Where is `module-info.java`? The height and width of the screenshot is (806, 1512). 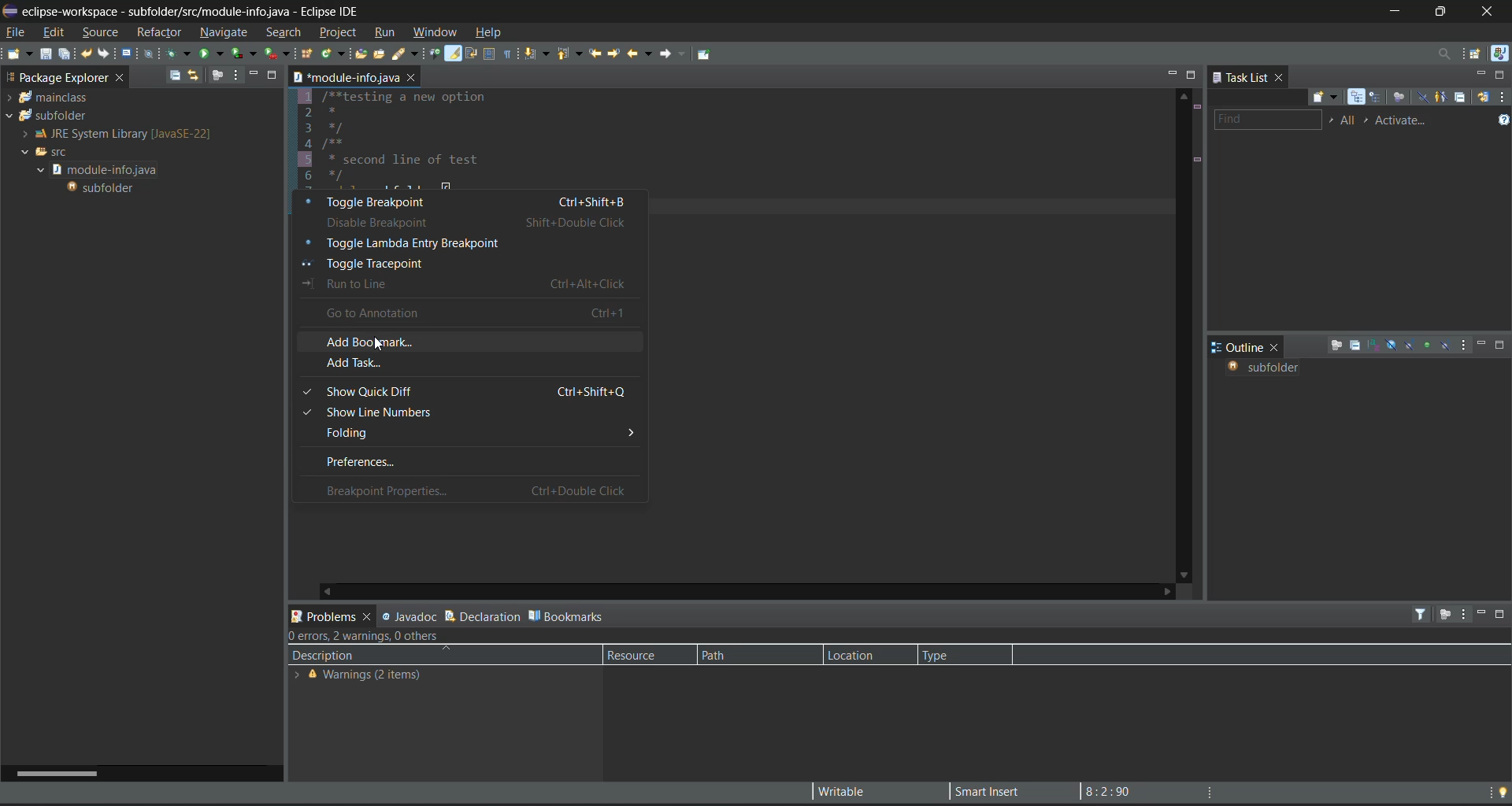
module-info.java is located at coordinates (345, 76).